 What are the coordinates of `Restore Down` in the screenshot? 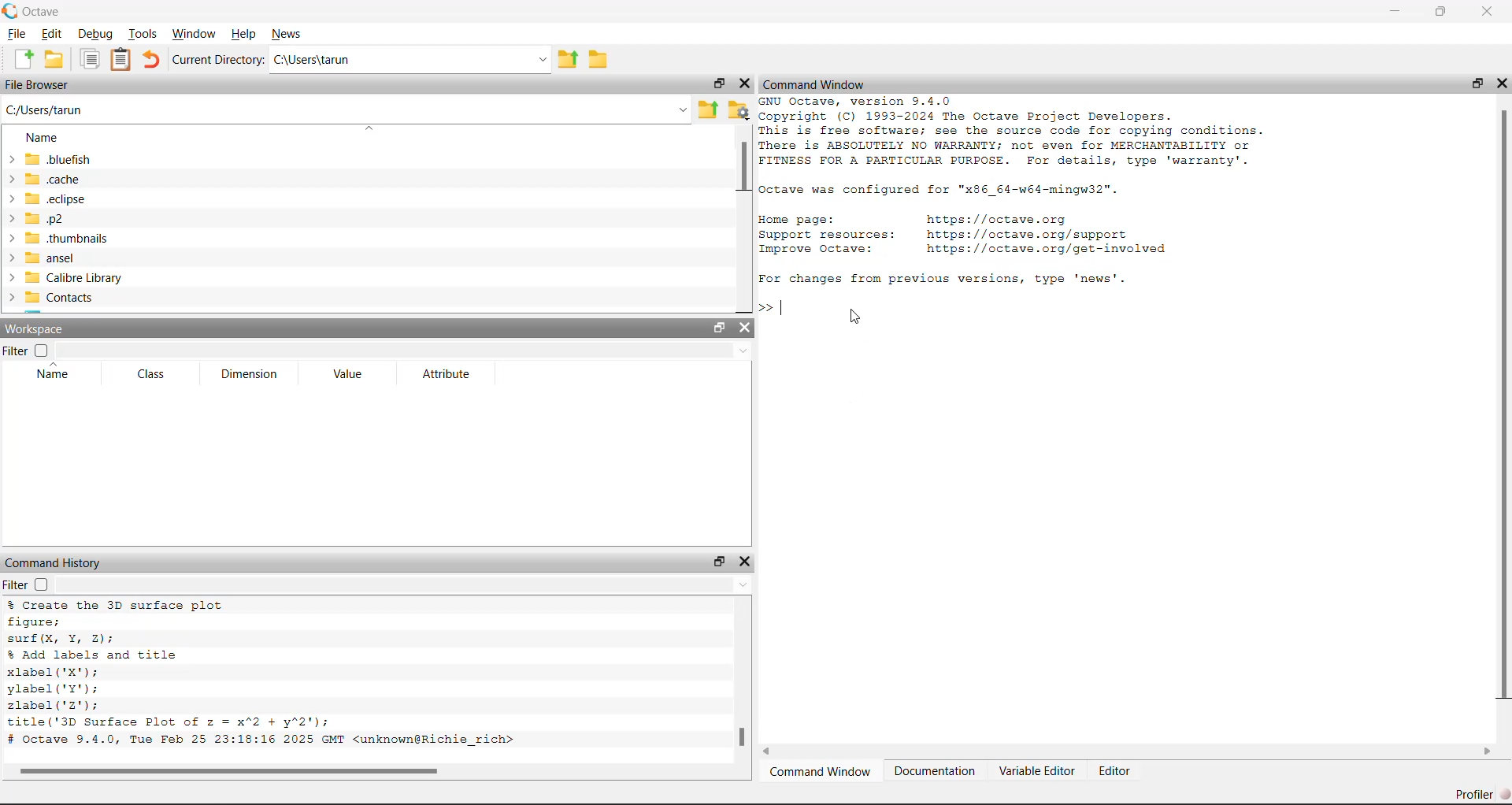 It's located at (1477, 83).